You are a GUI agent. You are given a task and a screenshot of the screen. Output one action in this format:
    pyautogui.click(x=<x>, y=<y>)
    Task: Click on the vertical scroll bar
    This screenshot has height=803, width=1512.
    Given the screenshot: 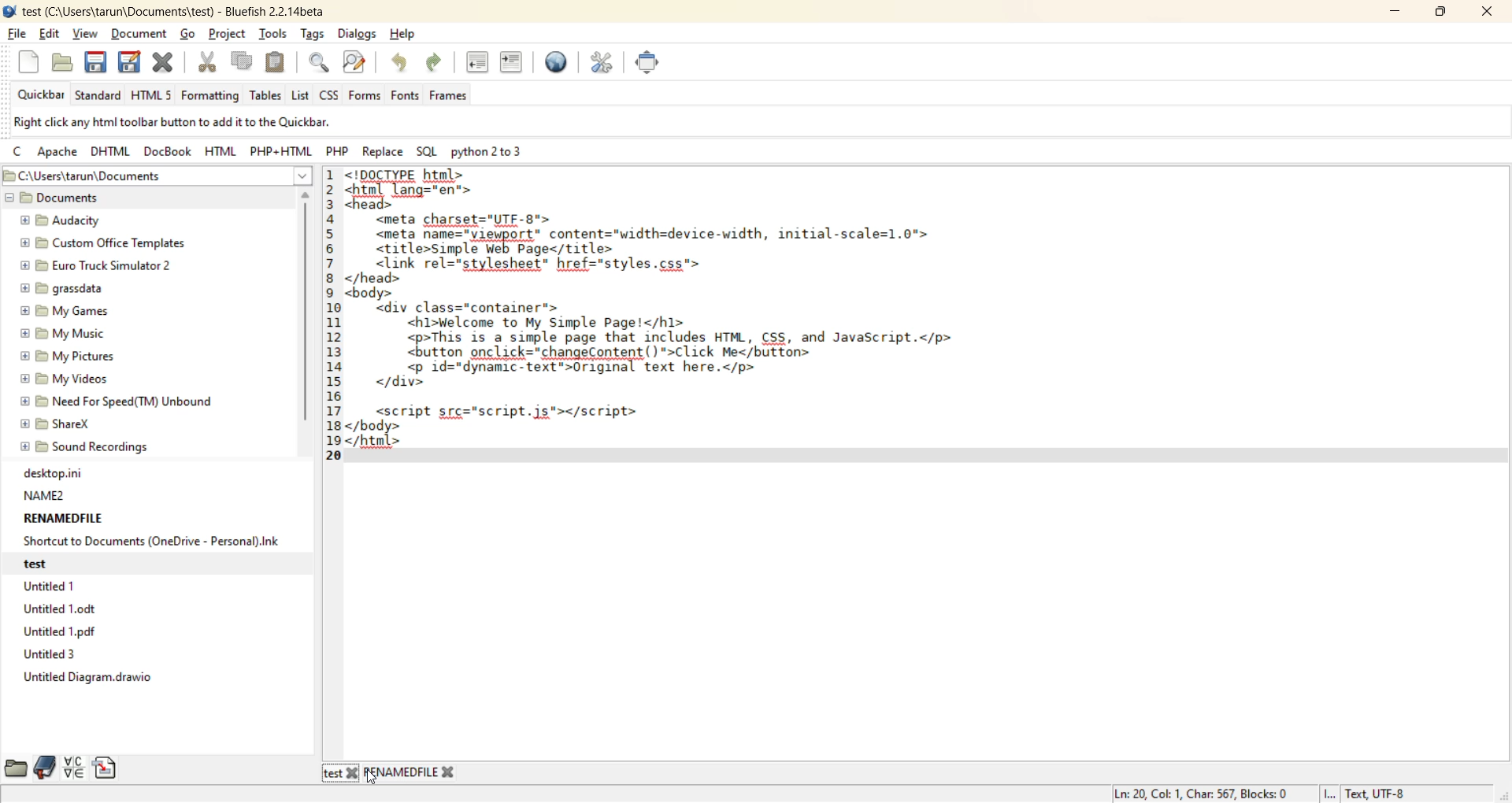 What is the action you would take?
    pyautogui.click(x=306, y=314)
    